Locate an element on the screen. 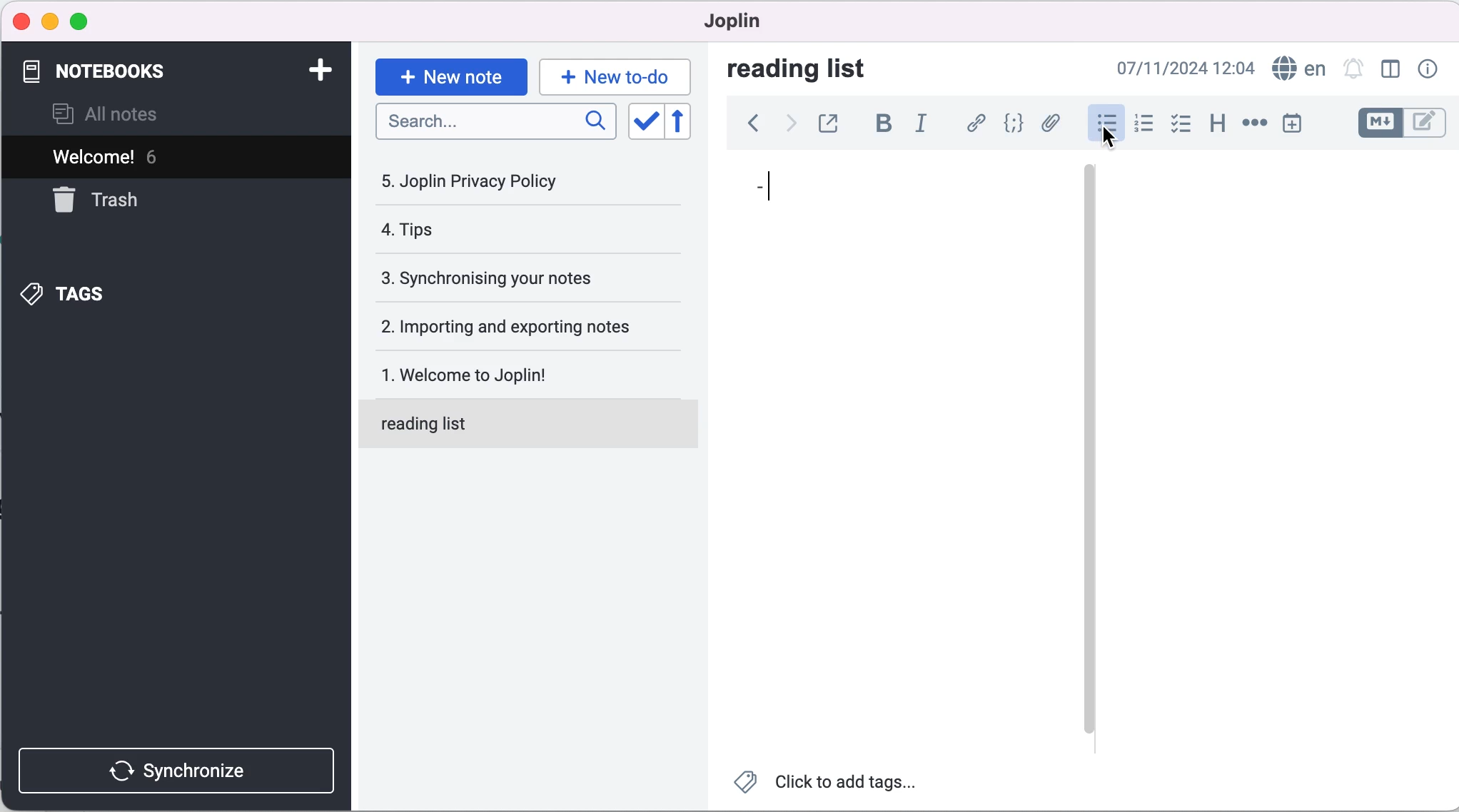 The height and width of the screenshot is (812, 1459). add notebook is located at coordinates (324, 70).